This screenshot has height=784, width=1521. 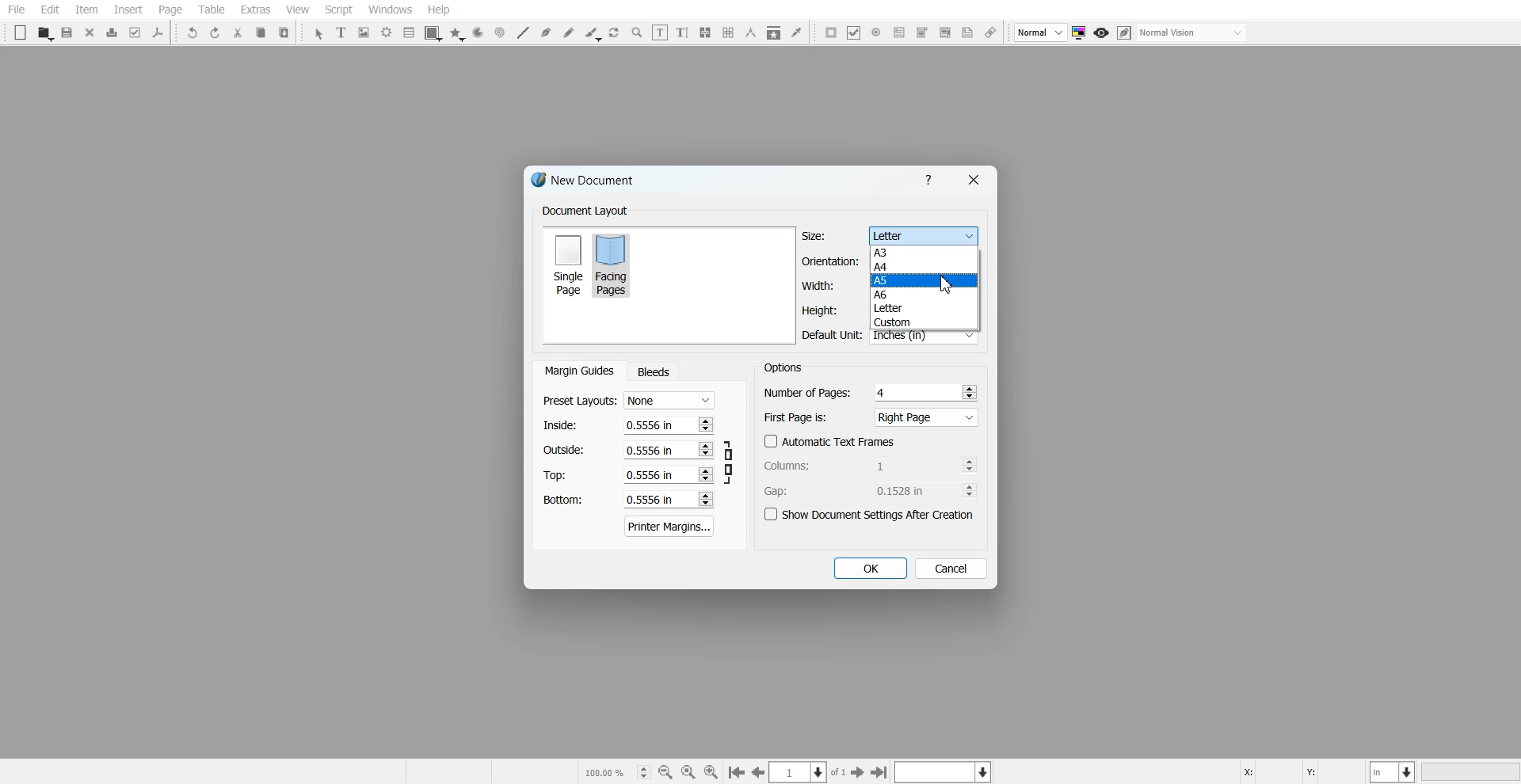 I want to click on Text, so click(x=589, y=182).